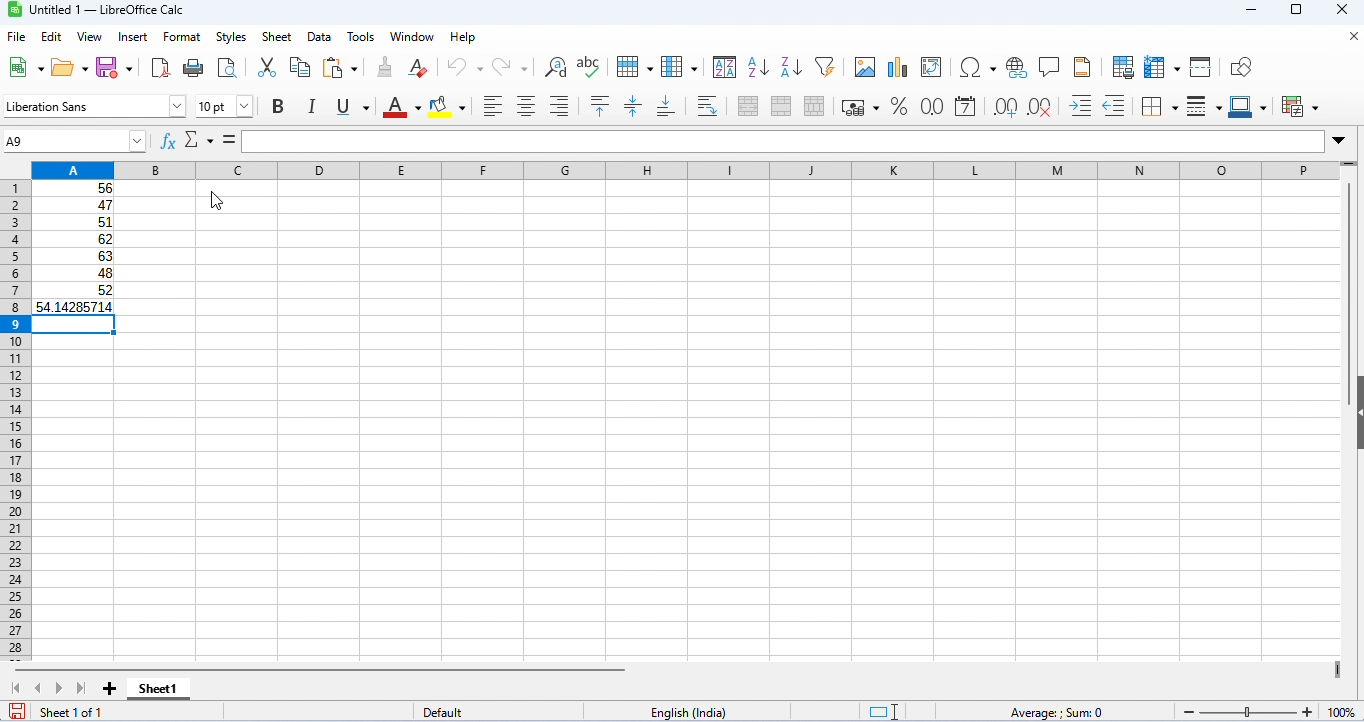  What do you see at coordinates (1341, 671) in the screenshot?
I see `drag to view next columns` at bounding box center [1341, 671].